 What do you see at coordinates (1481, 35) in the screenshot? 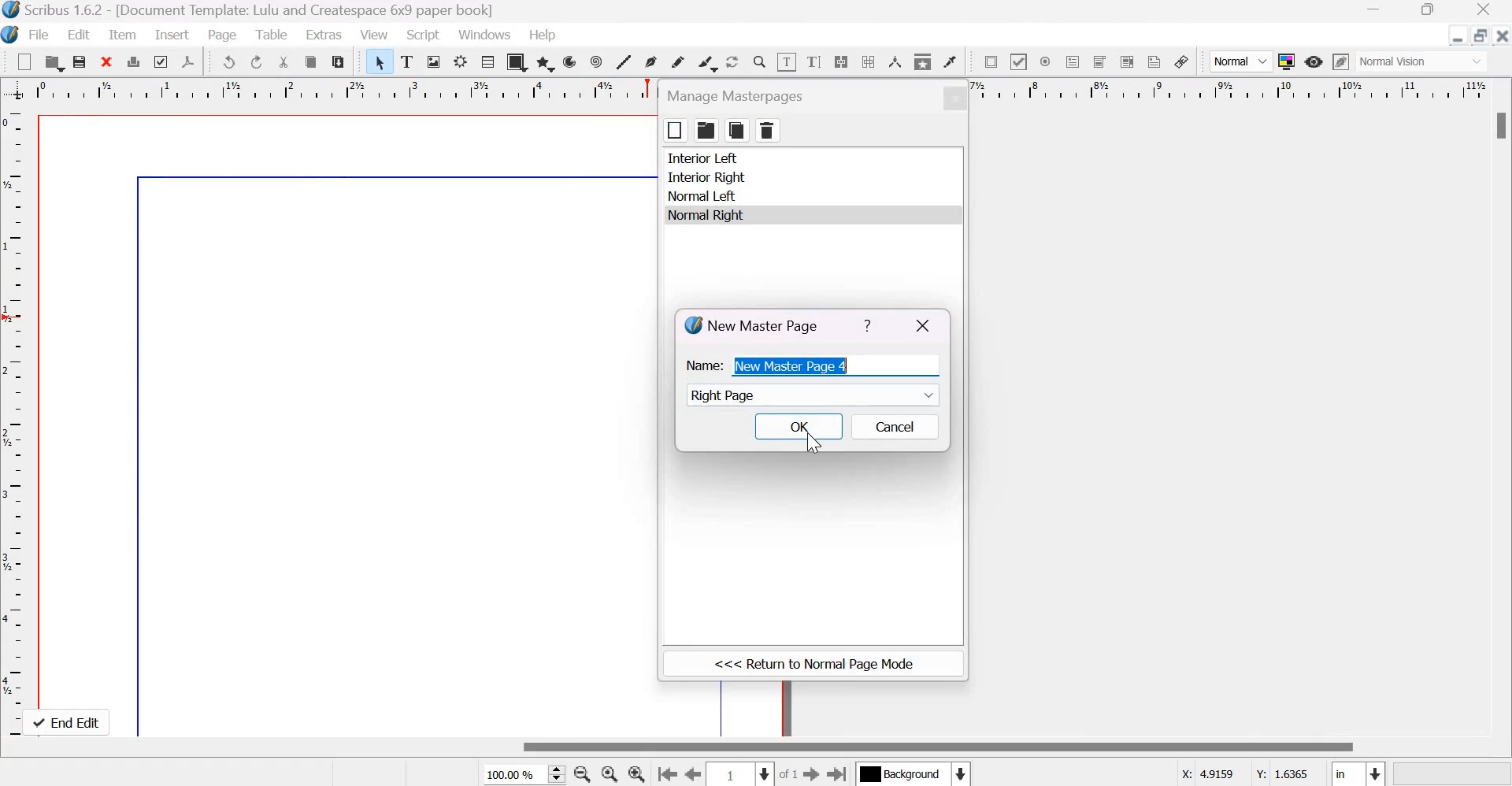
I see `resize` at bounding box center [1481, 35].